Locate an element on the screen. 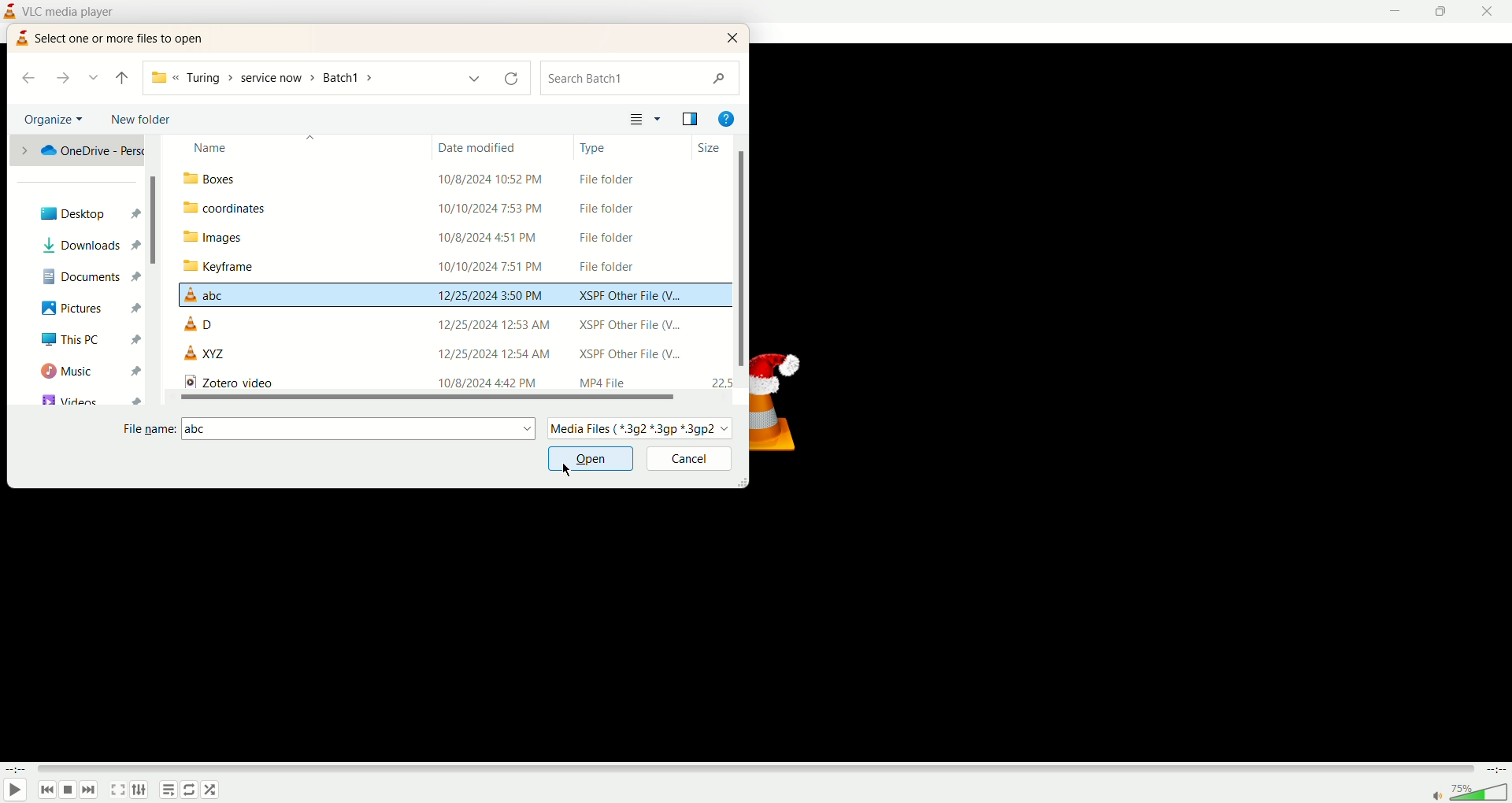 This screenshot has height=803, width=1512. vlc media player is located at coordinates (72, 12).